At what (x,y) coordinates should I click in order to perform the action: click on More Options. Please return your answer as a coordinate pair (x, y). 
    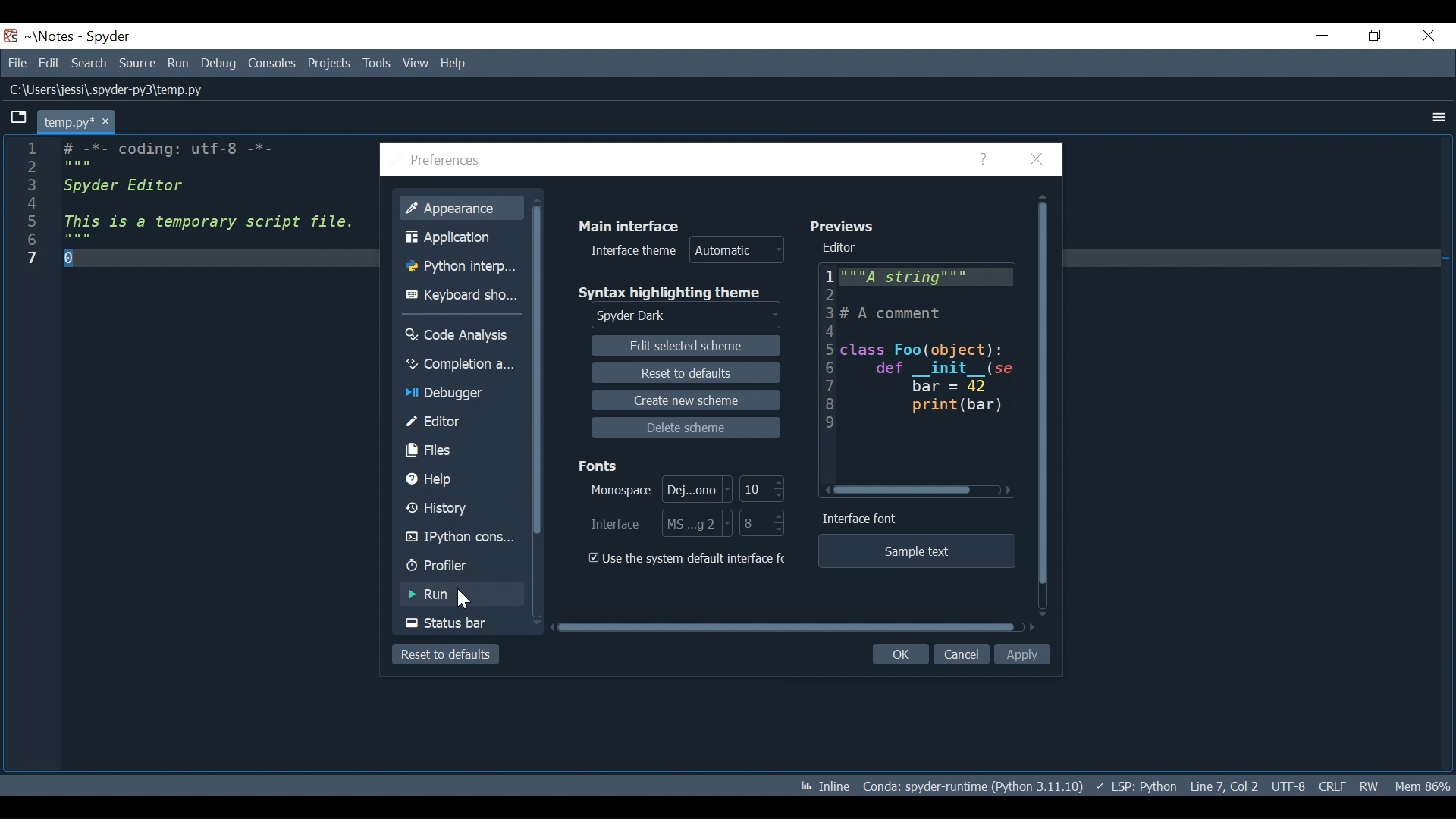
    Looking at the image, I should click on (1435, 118).